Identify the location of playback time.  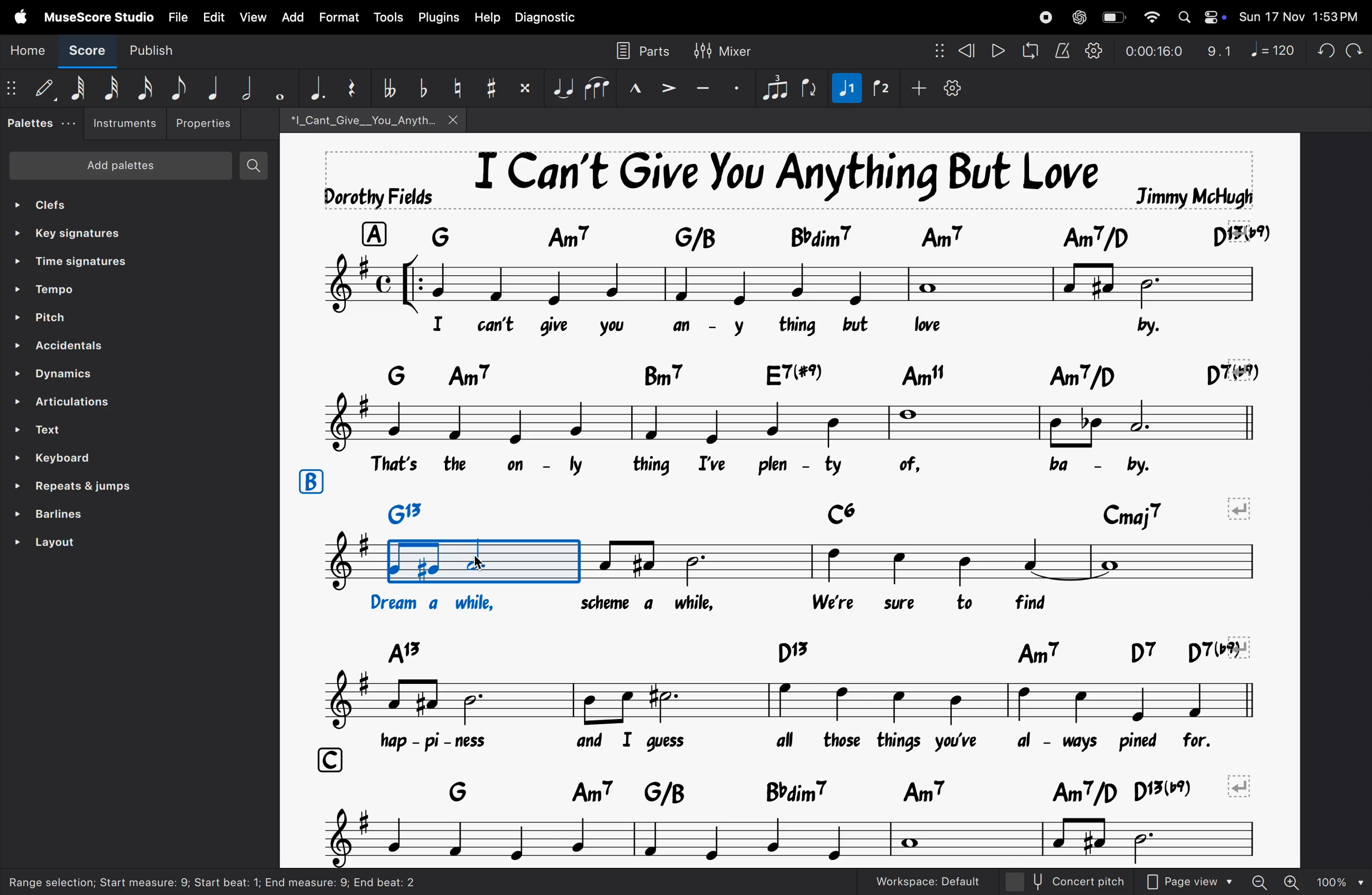
(1154, 51).